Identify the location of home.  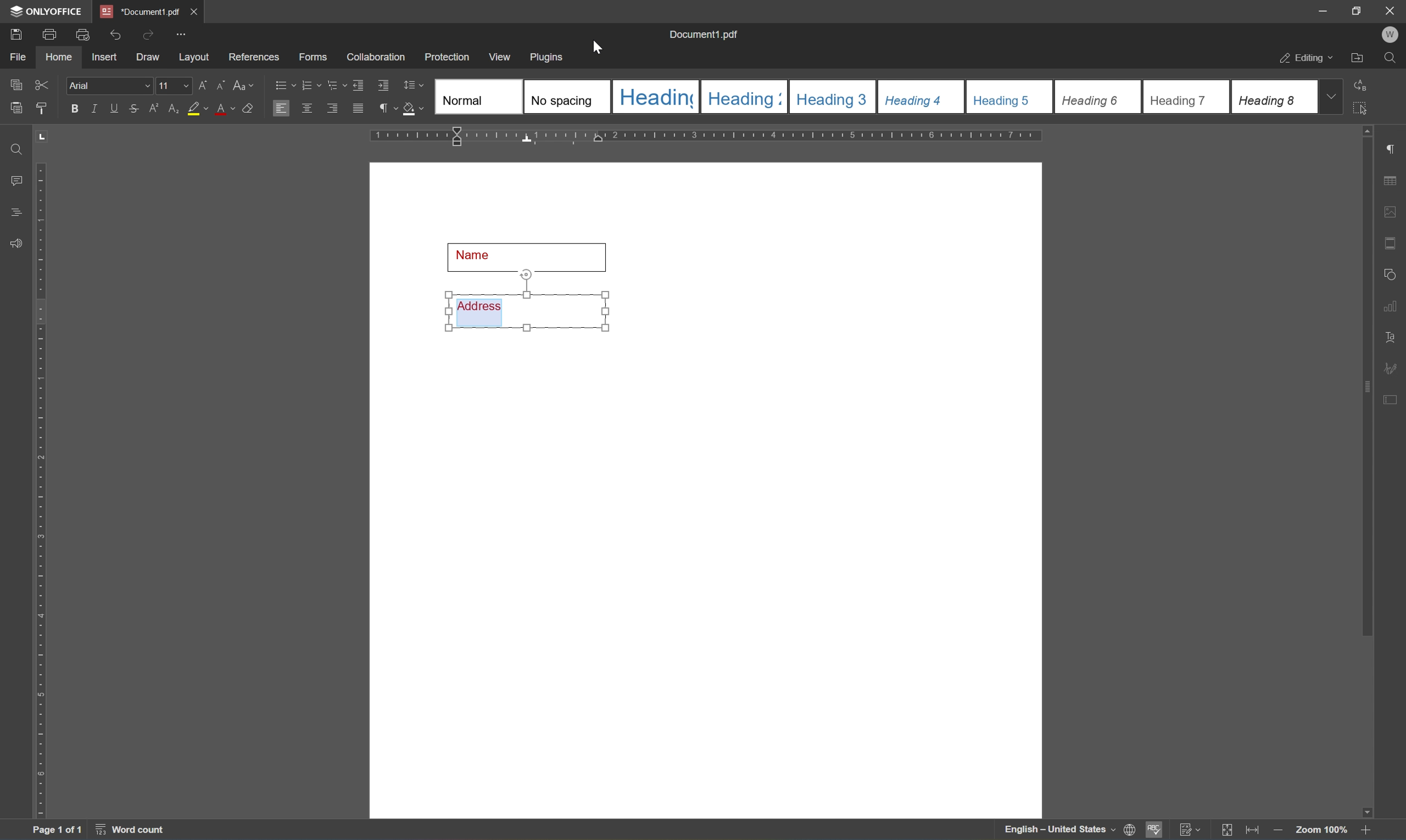
(62, 59).